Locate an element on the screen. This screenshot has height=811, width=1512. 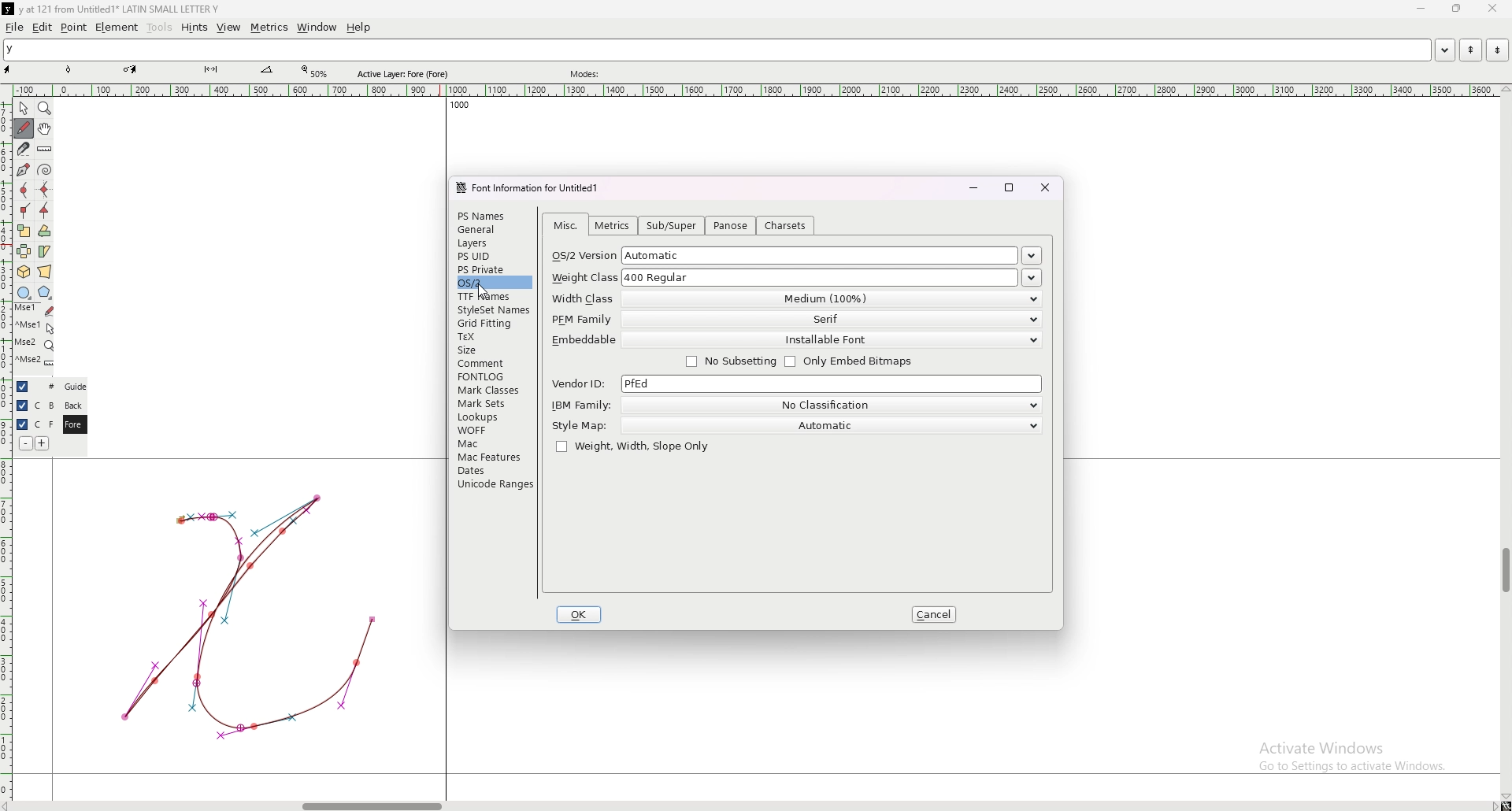
rotate the selection in 3d is located at coordinates (24, 272).